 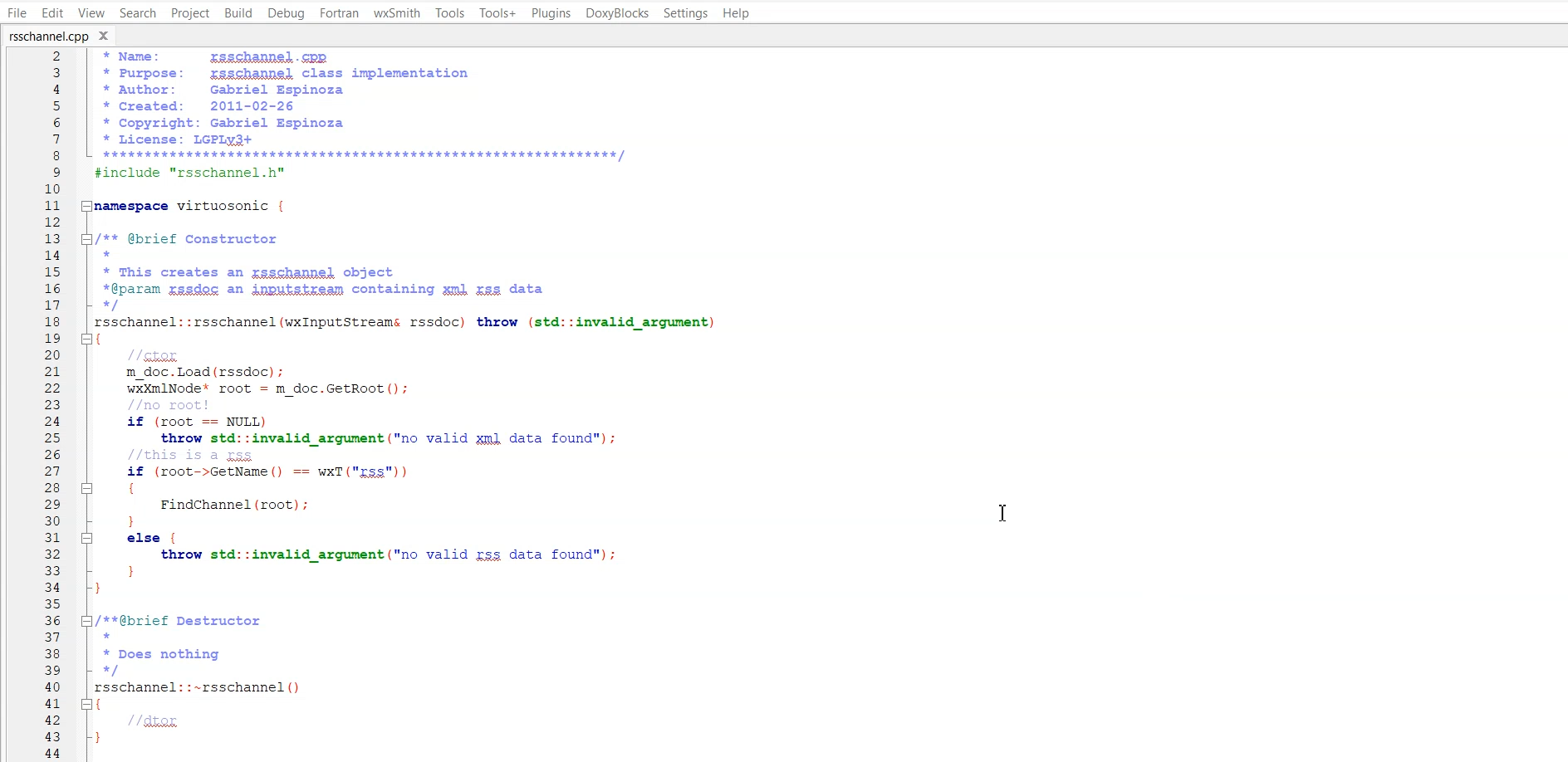 What do you see at coordinates (51, 12) in the screenshot?
I see `Edit` at bounding box center [51, 12].